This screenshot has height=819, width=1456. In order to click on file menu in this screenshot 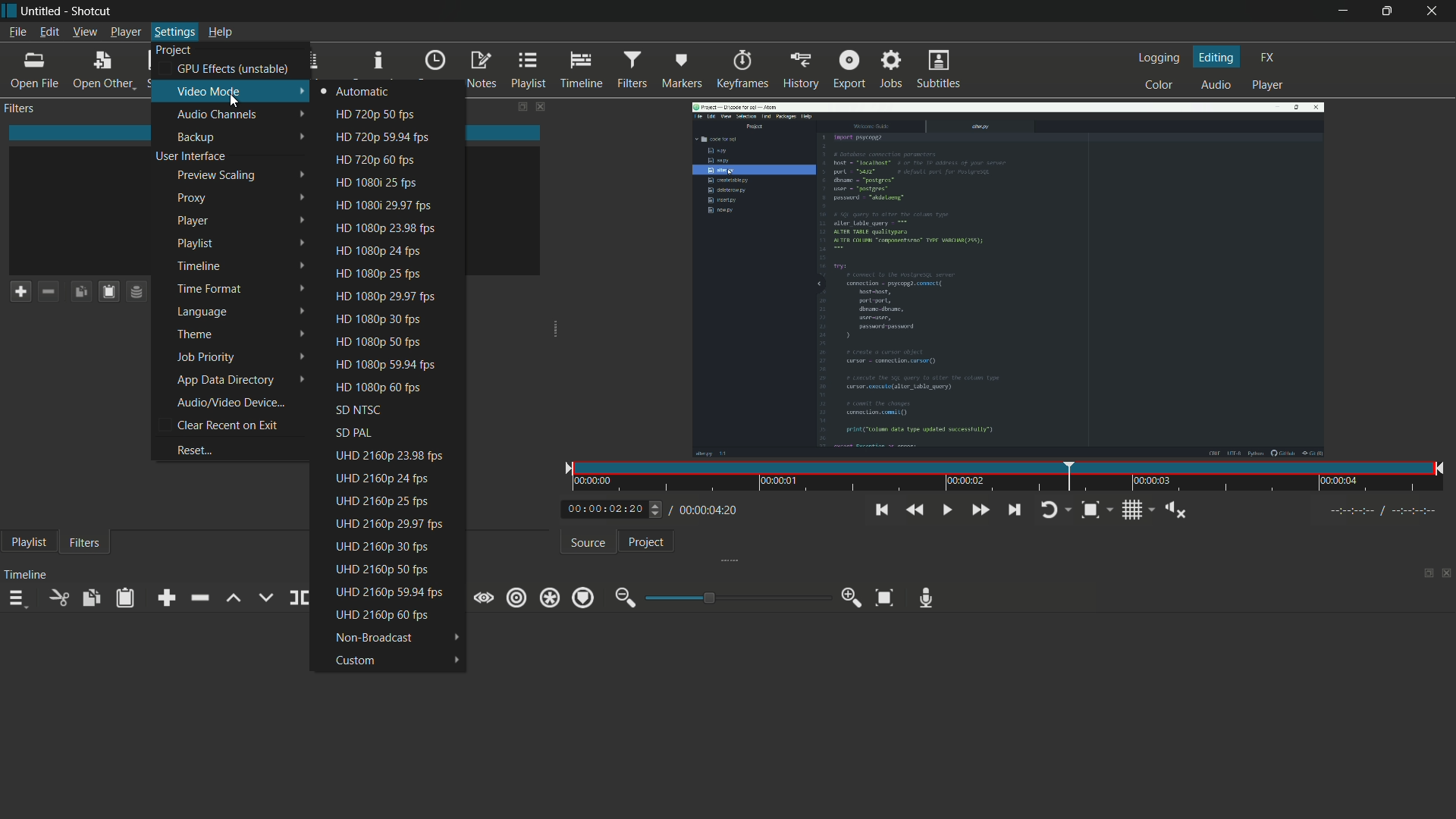, I will do `click(17, 33)`.